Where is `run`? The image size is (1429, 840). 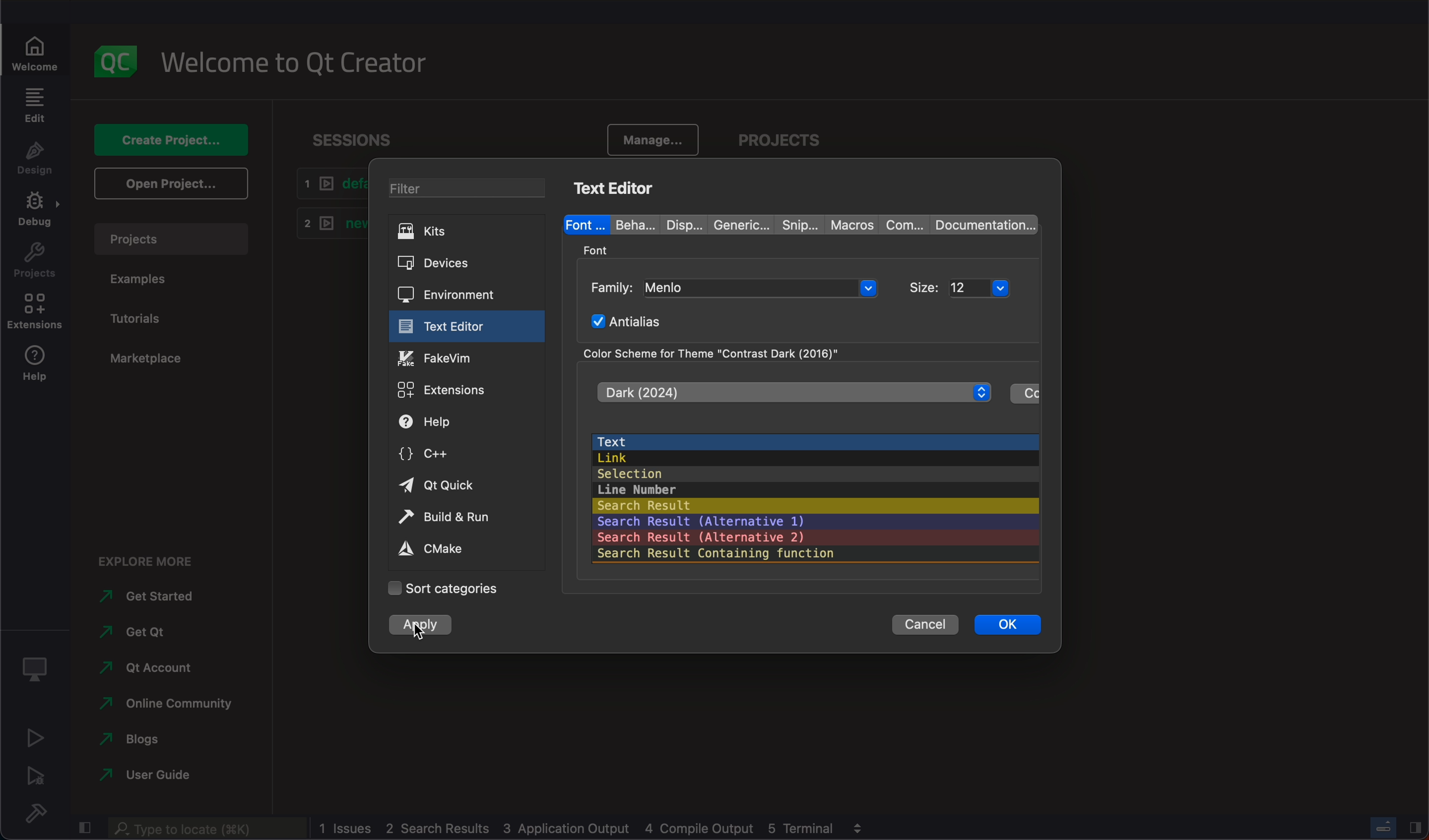
run is located at coordinates (32, 740).